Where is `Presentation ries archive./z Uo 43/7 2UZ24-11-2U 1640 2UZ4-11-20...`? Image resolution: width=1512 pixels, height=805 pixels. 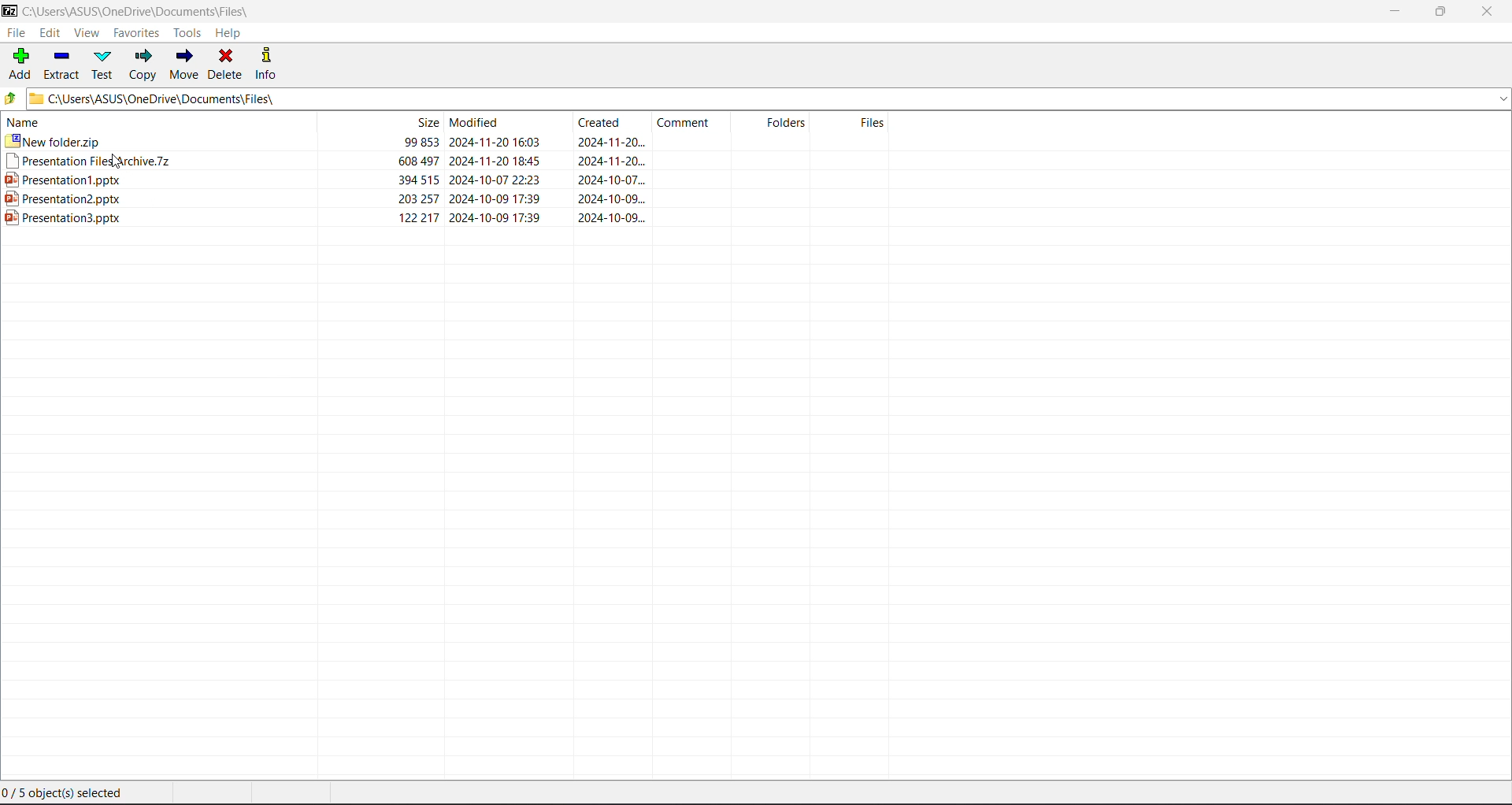
Presentation ries archive./z Uo 43/7 2UZ24-11-2U 1640 2UZ4-11-20... is located at coordinates (324, 161).